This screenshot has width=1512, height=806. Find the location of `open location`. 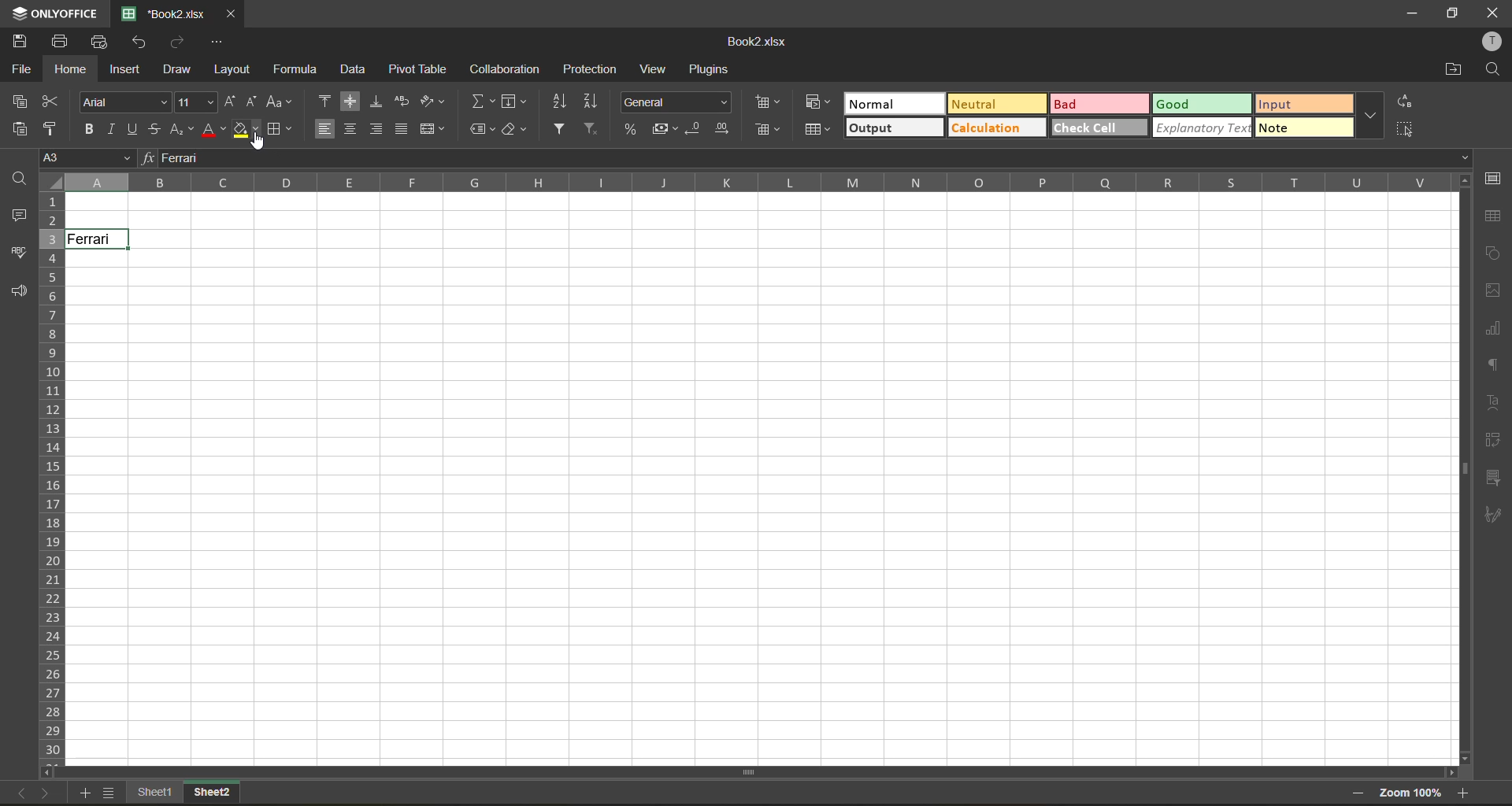

open location is located at coordinates (1450, 68).